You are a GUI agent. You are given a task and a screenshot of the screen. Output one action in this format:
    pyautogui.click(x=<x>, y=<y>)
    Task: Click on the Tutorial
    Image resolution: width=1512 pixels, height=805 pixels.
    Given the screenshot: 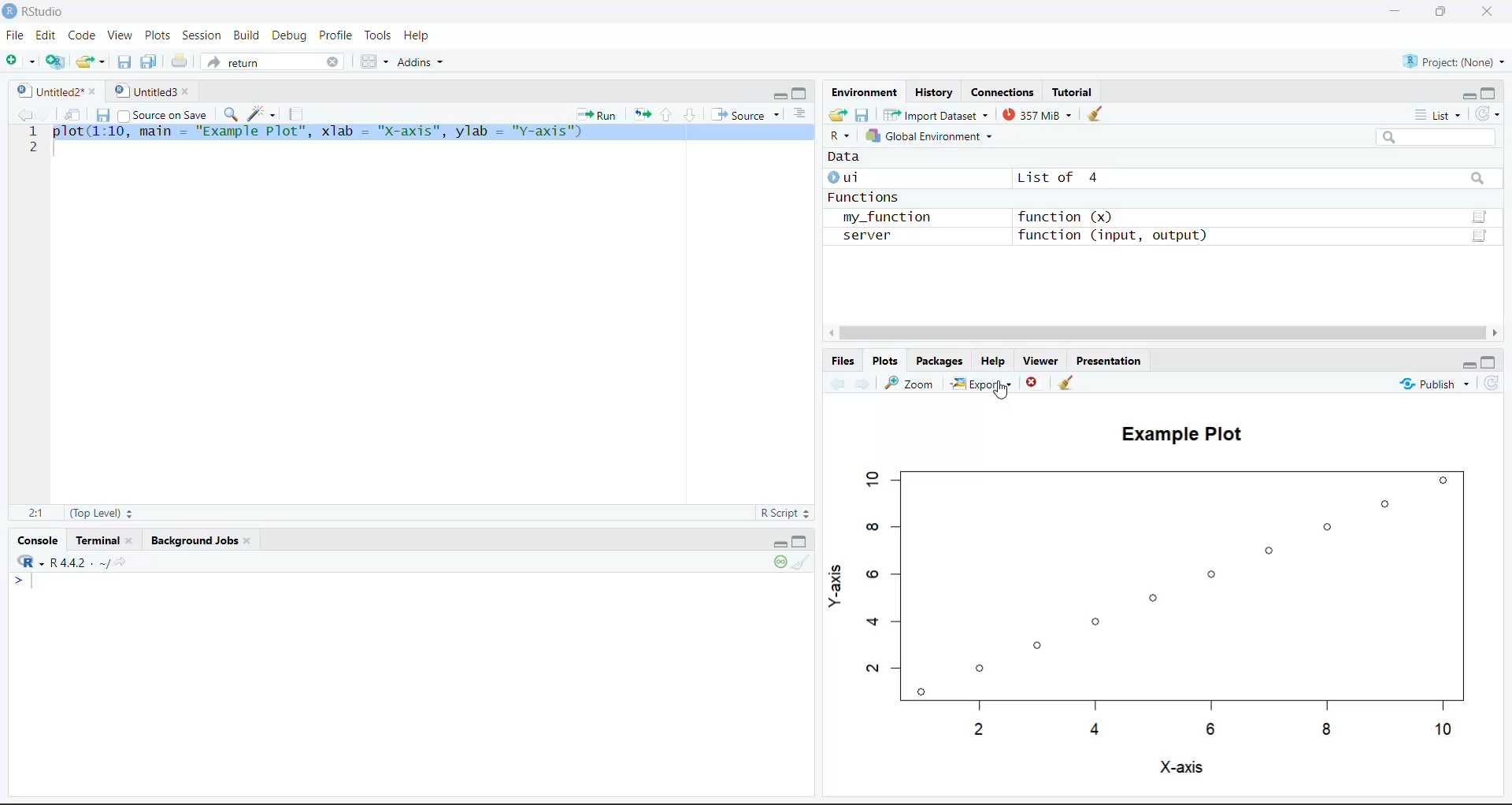 What is the action you would take?
    pyautogui.click(x=1073, y=91)
    